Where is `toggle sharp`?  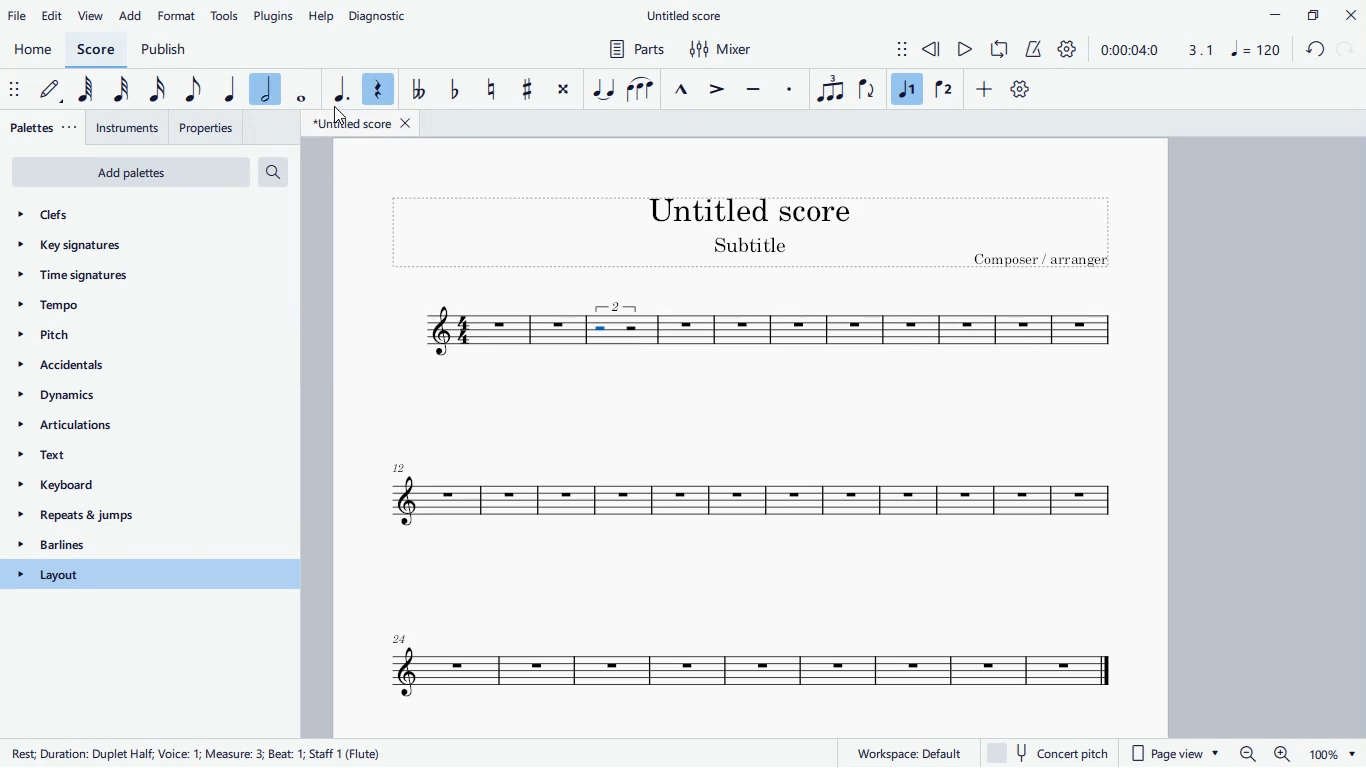 toggle sharp is located at coordinates (528, 91).